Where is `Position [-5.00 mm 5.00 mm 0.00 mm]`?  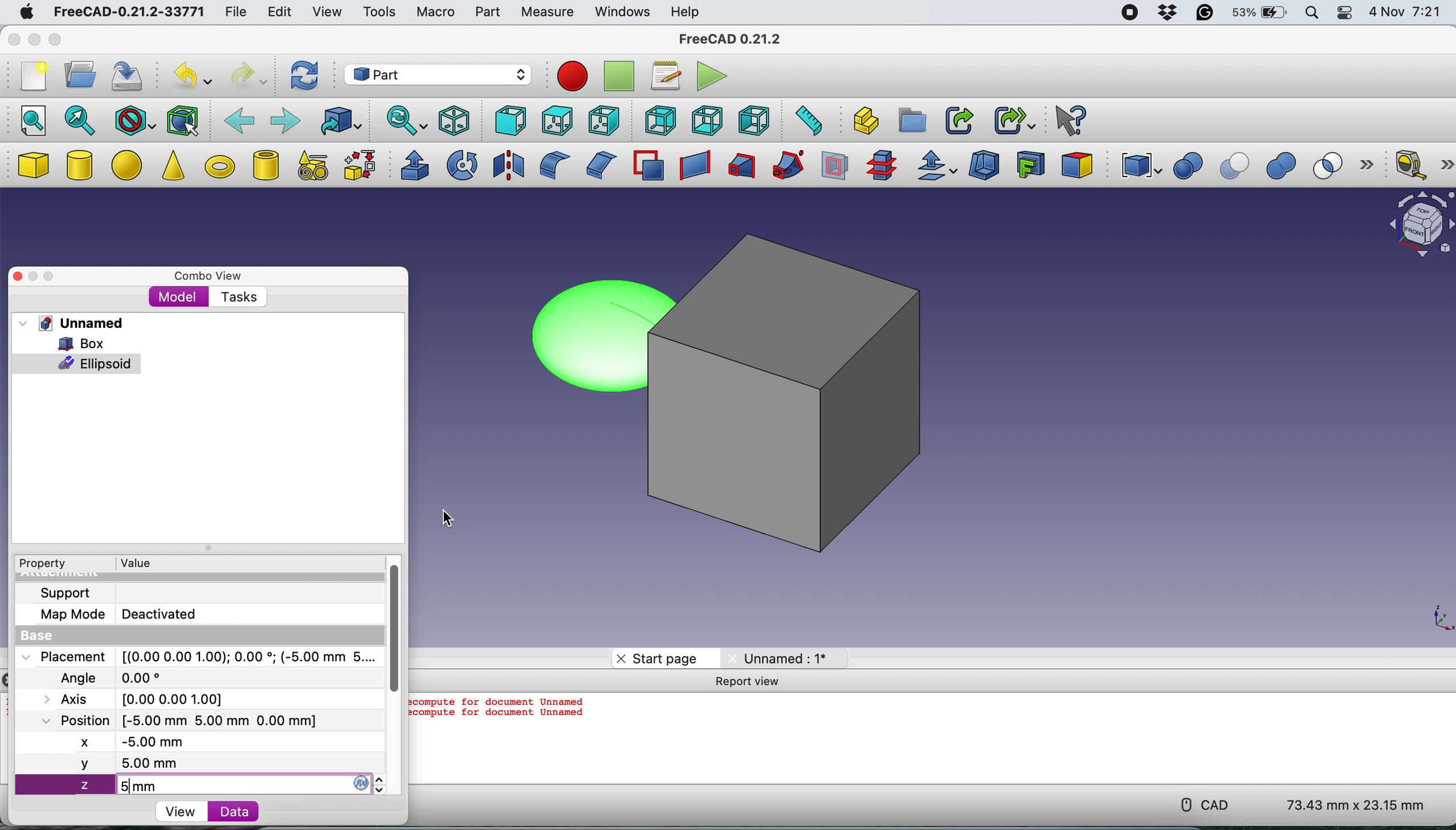 Position [-5.00 mm 5.00 mm 0.00 mm] is located at coordinates (175, 720).